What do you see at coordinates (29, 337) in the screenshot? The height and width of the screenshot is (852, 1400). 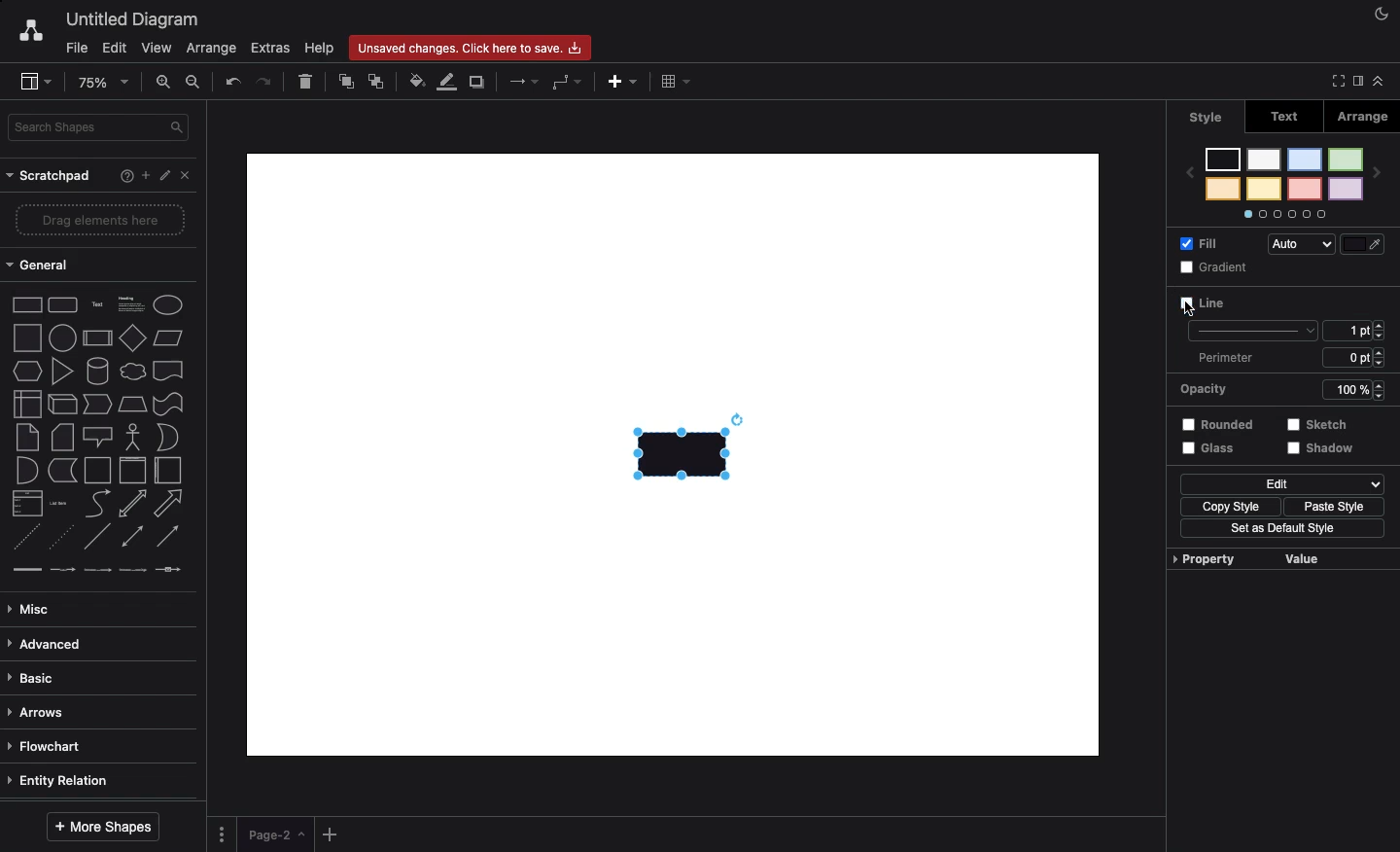 I see `square` at bounding box center [29, 337].